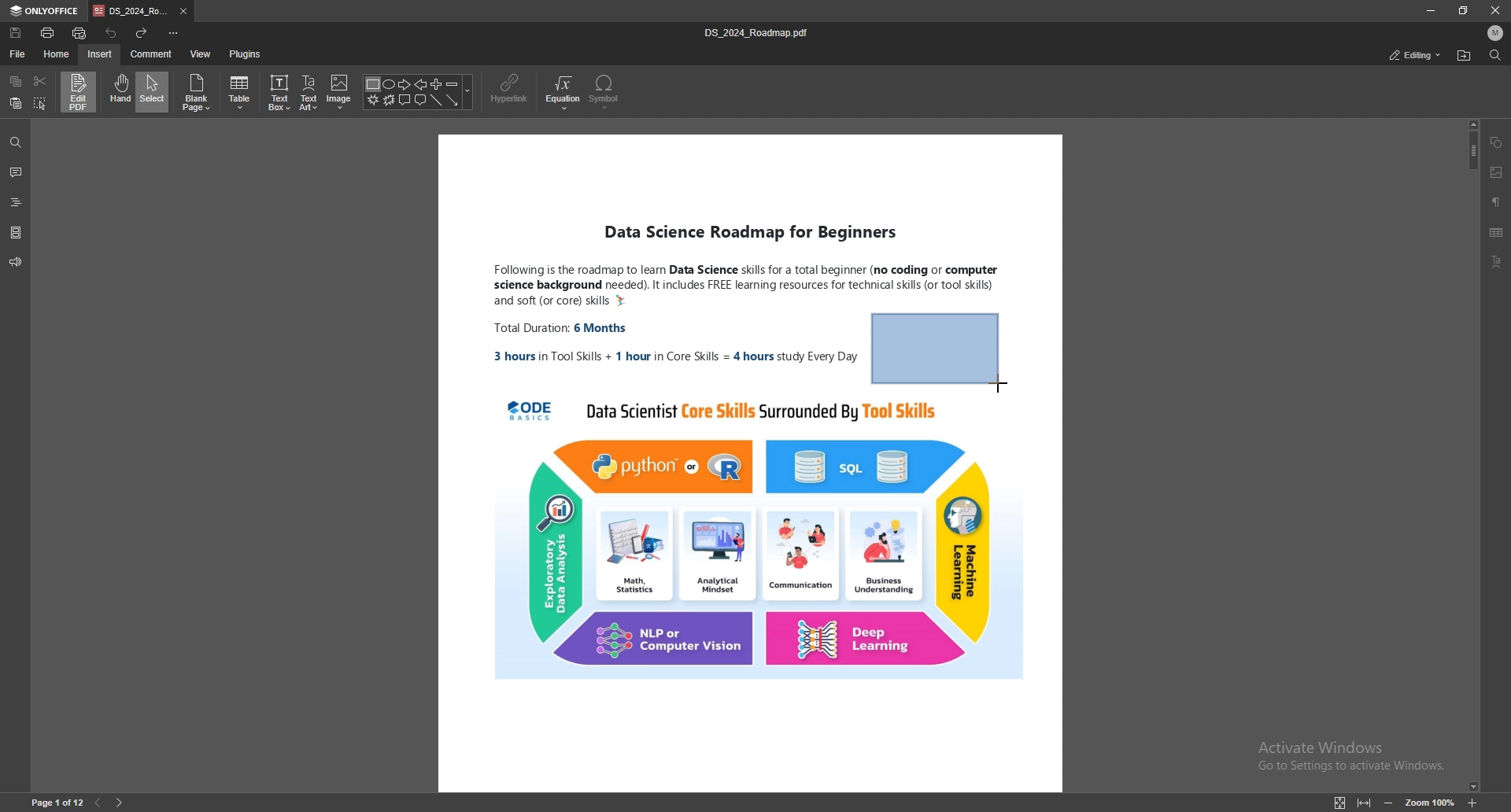  What do you see at coordinates (79, 91) in the screenshot?
I see `edit pdf` at bounding box center [79, 91].